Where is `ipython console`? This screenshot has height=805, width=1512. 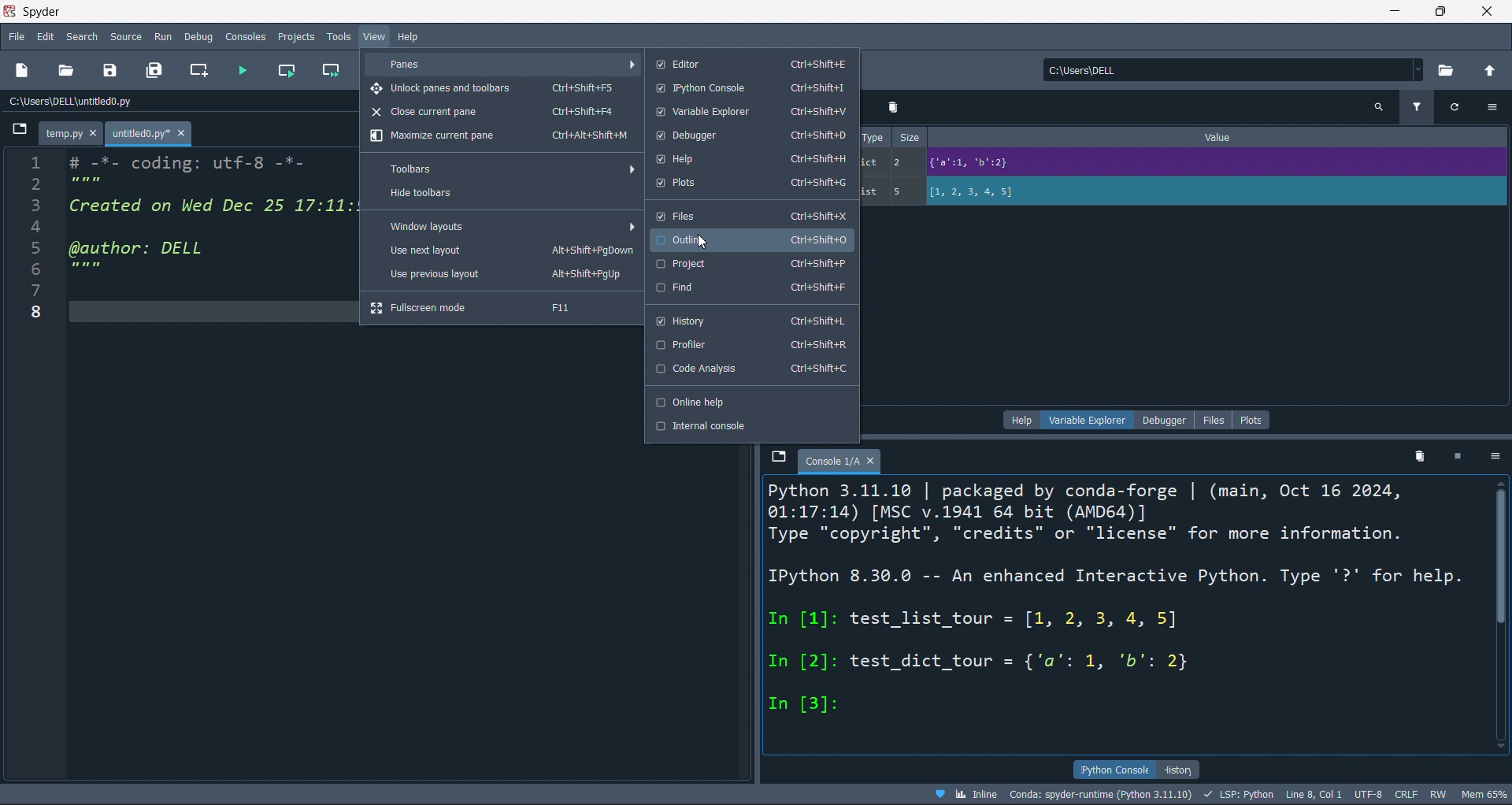 ipython console is located at coordinates (749, 88).